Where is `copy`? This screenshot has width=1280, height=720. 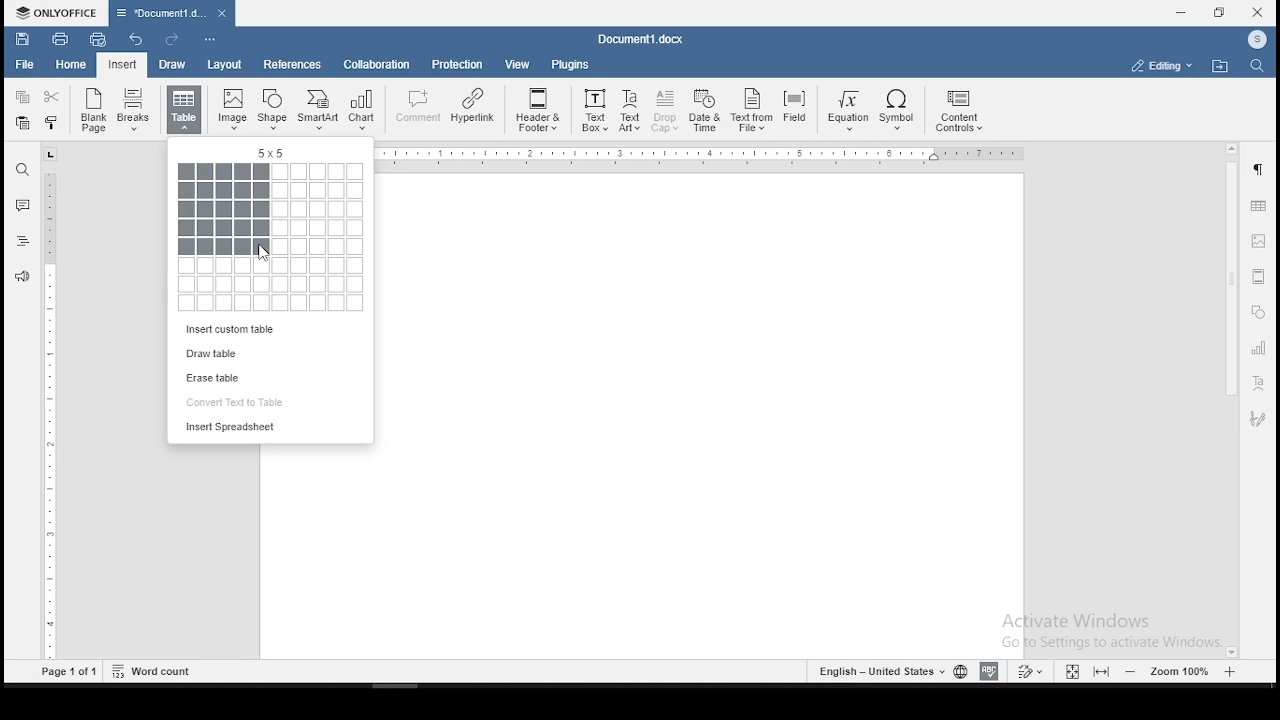
copy is located at coordinates (23, 97).